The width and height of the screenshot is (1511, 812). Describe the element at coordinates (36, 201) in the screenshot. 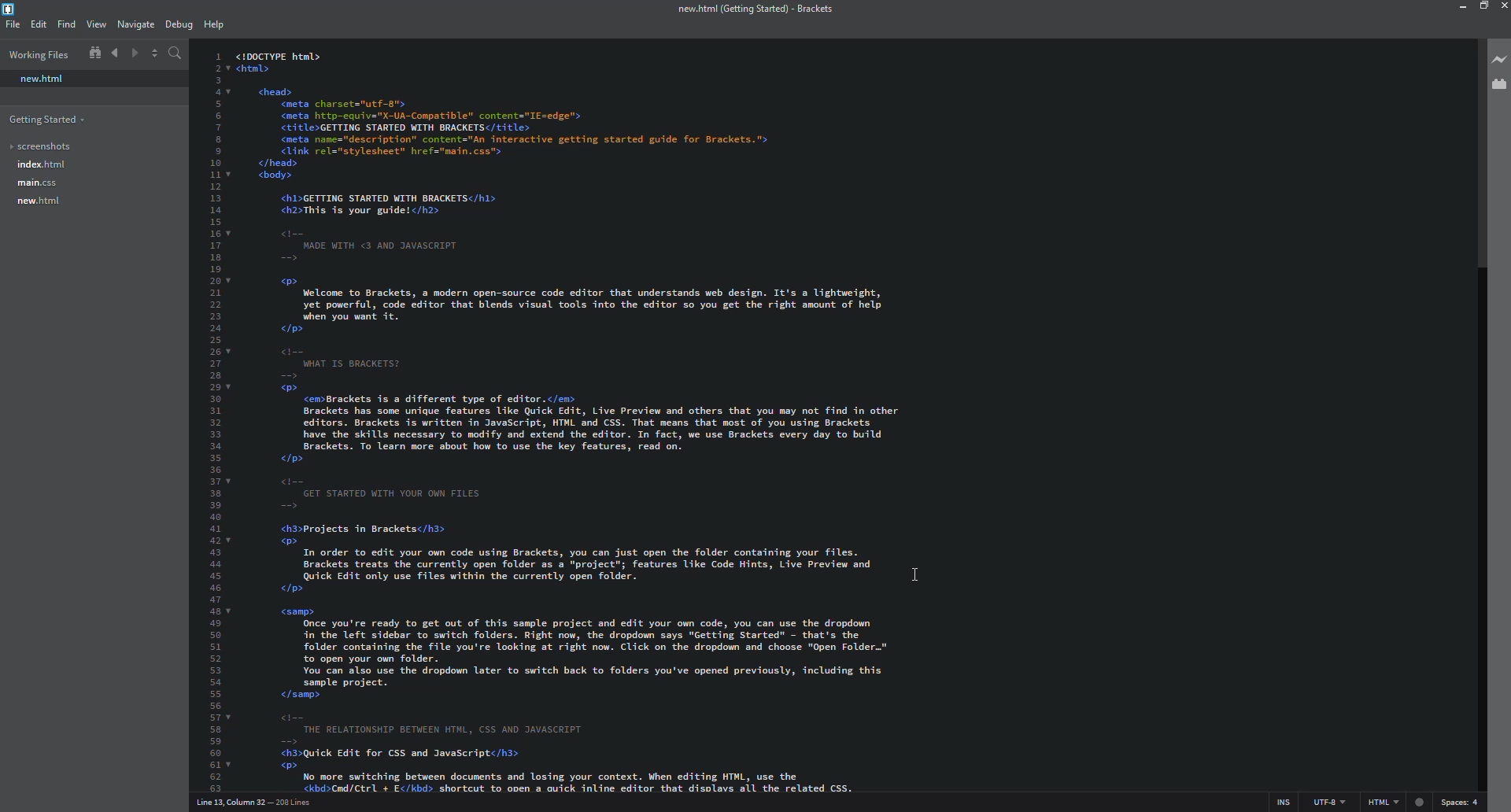

I see `new` at that location.